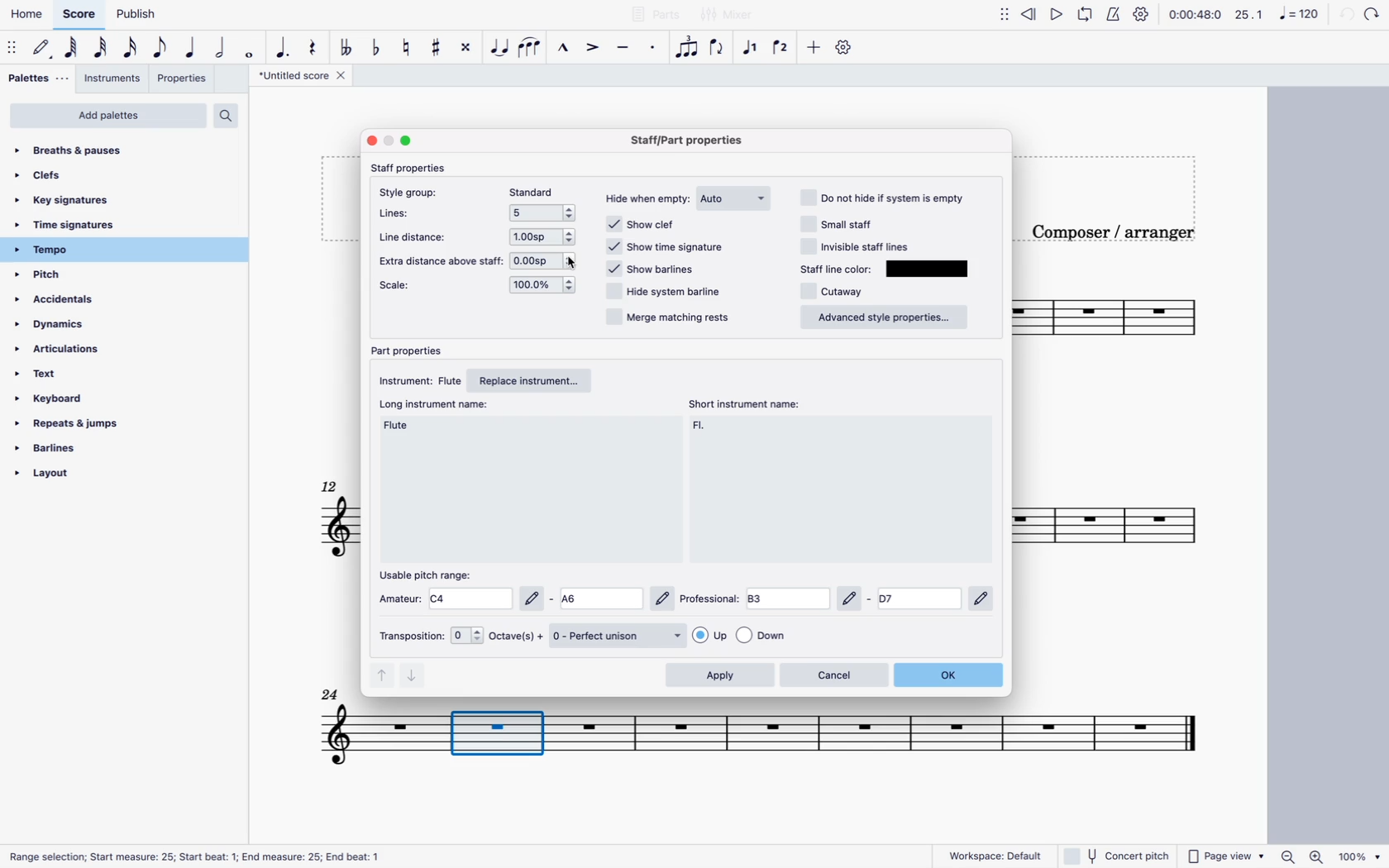 The width and height of the screenshot is (1389, 868). What do you see at coordinates (665, 224) in the screenshot?
I see `show clef` at bounding box center [665, 224].